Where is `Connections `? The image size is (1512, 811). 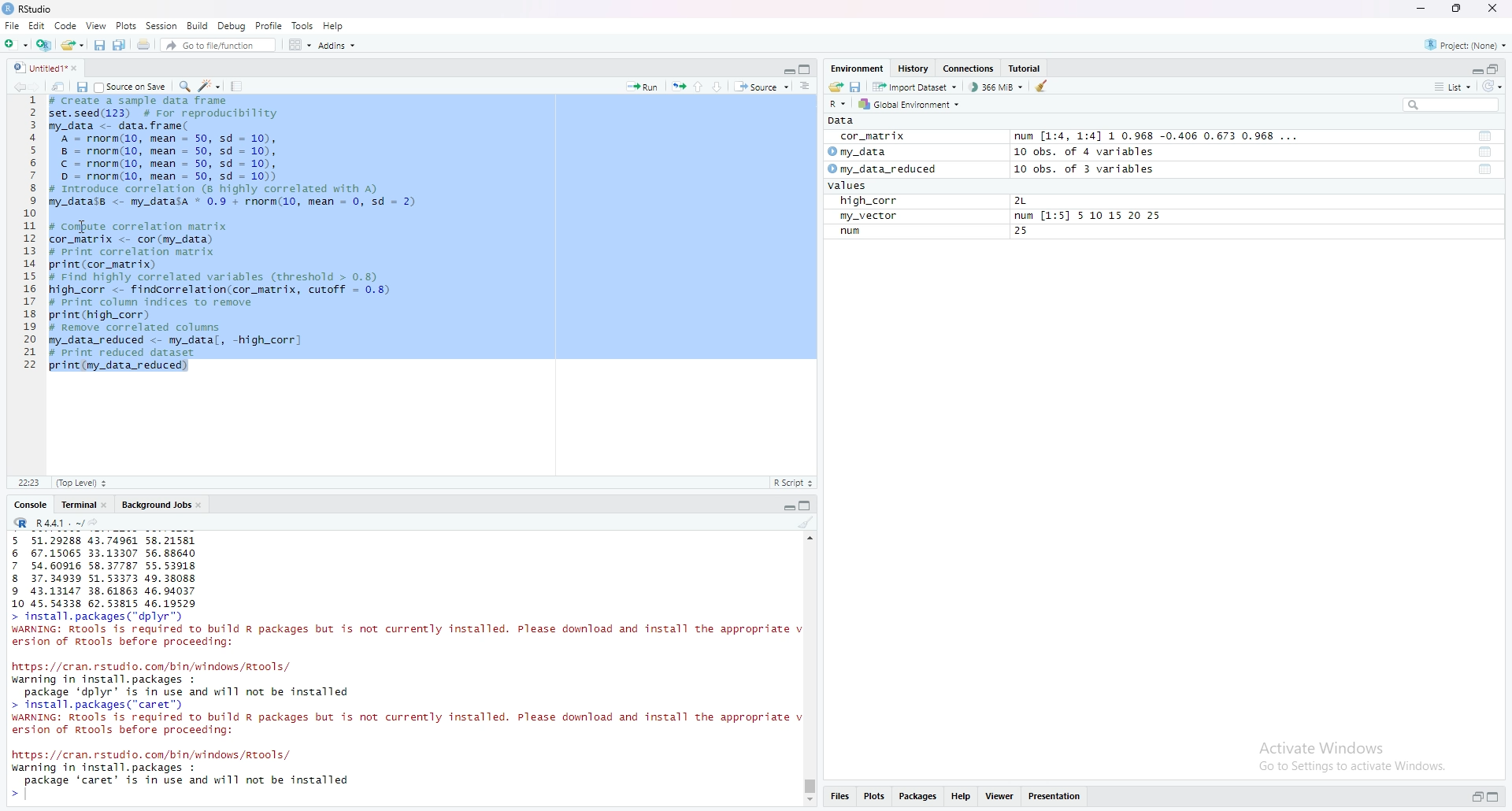
Connections  is located at coordinates (970, 68).